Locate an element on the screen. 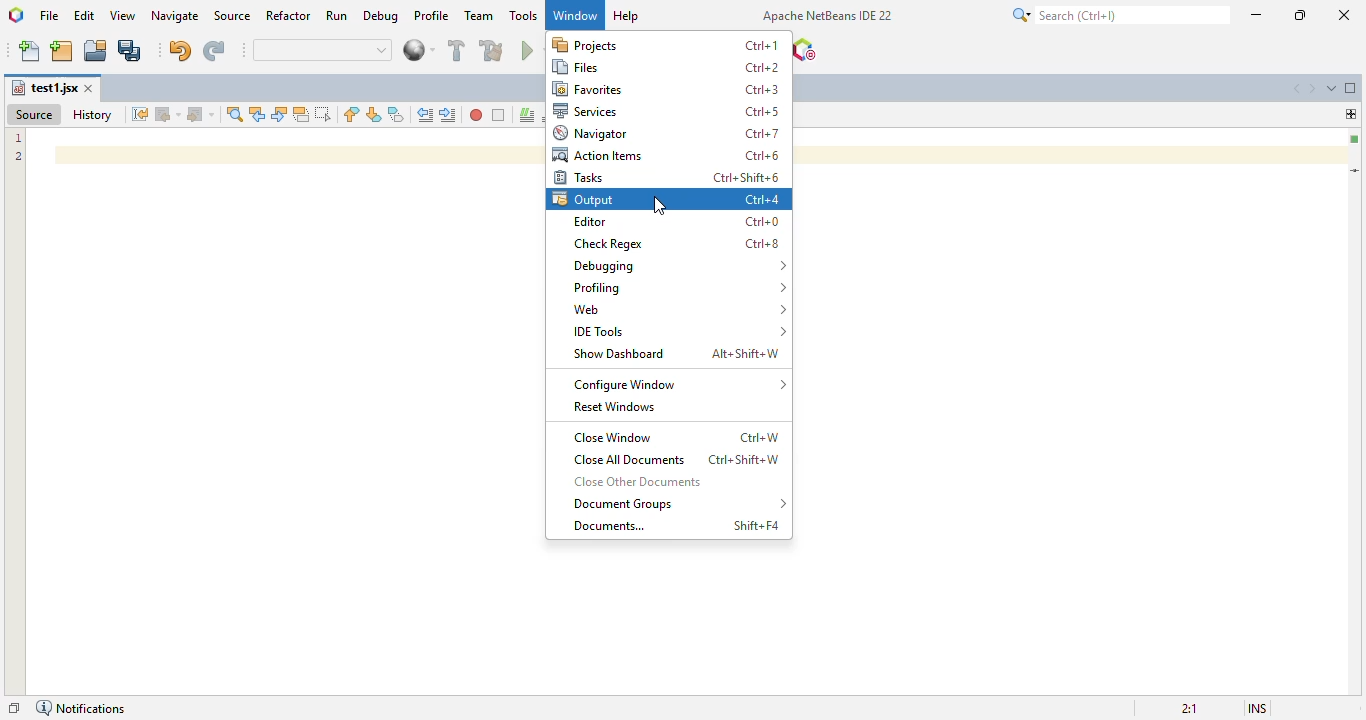 The height and width of the screenshot is (720, 1366). debugging is located at coordinates (679, 266).